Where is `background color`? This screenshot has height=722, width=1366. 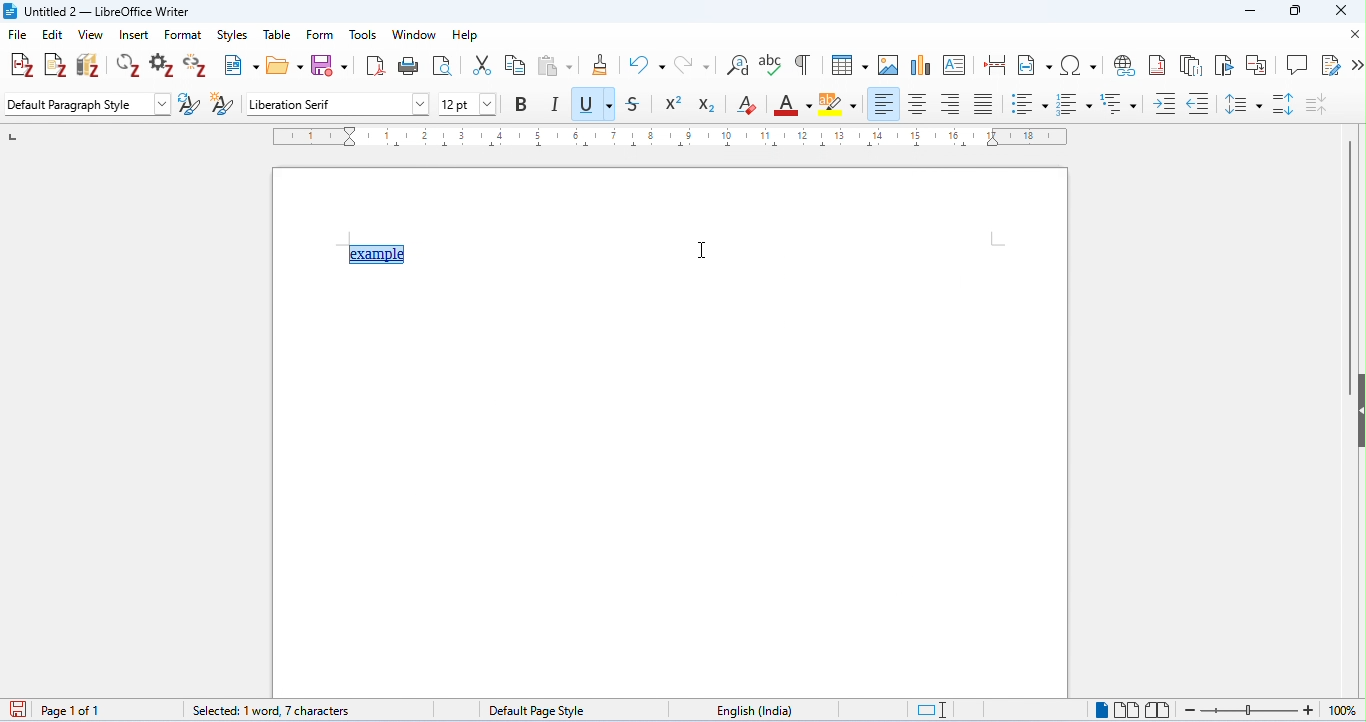 background color is located at coordinates (840, 105).